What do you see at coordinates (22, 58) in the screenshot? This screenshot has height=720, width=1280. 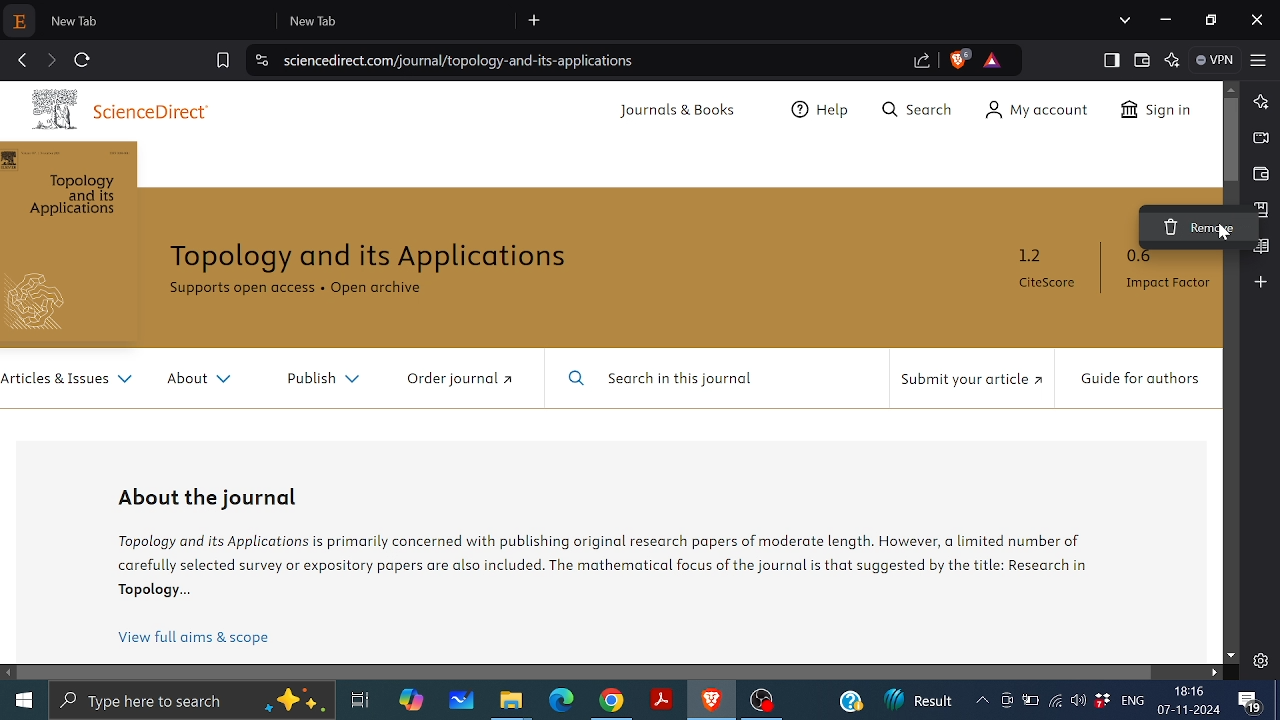 I see `Go back` at bounding box center [22, 58].